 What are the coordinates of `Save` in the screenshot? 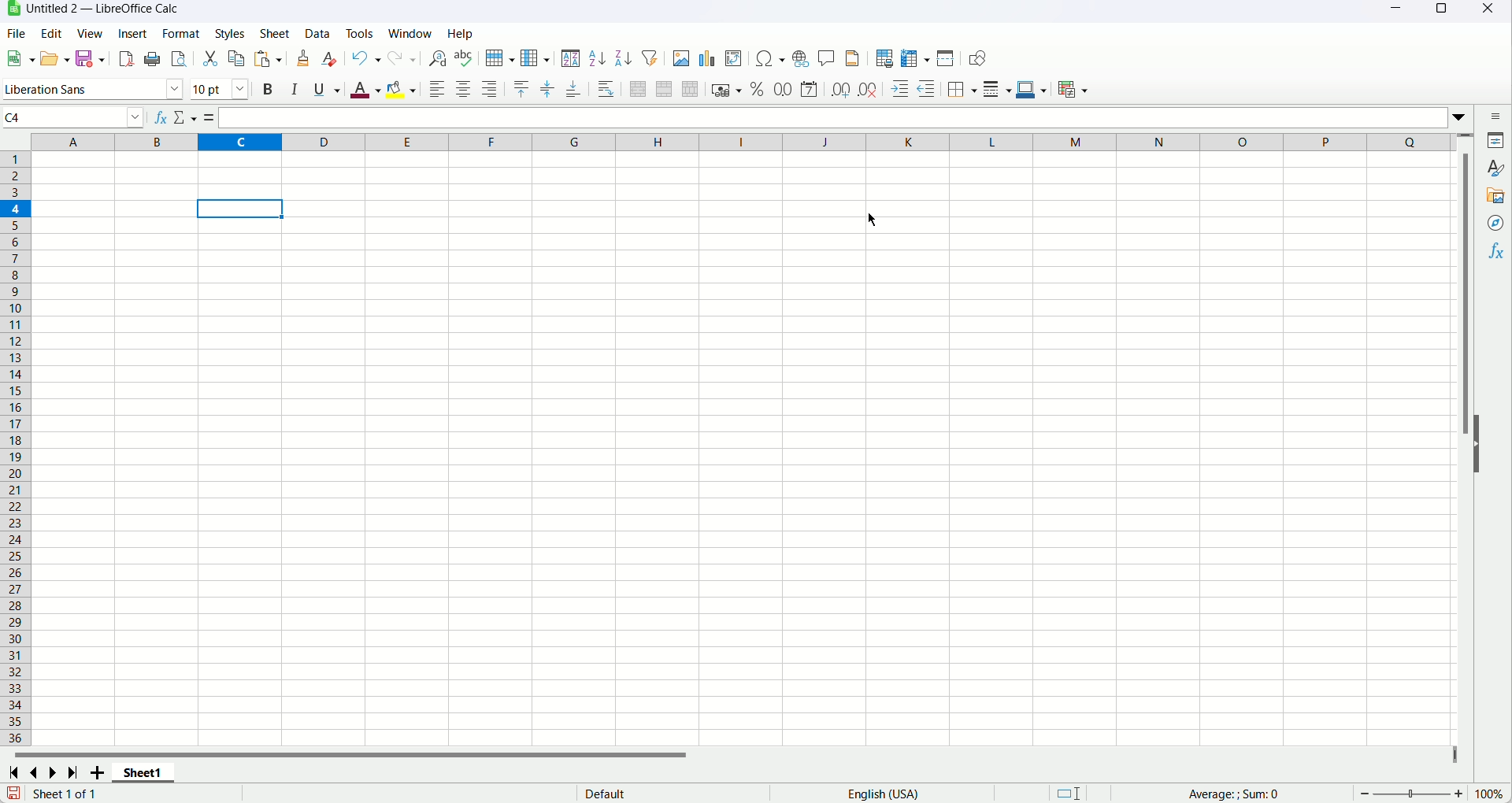 It's located at (89, 59).